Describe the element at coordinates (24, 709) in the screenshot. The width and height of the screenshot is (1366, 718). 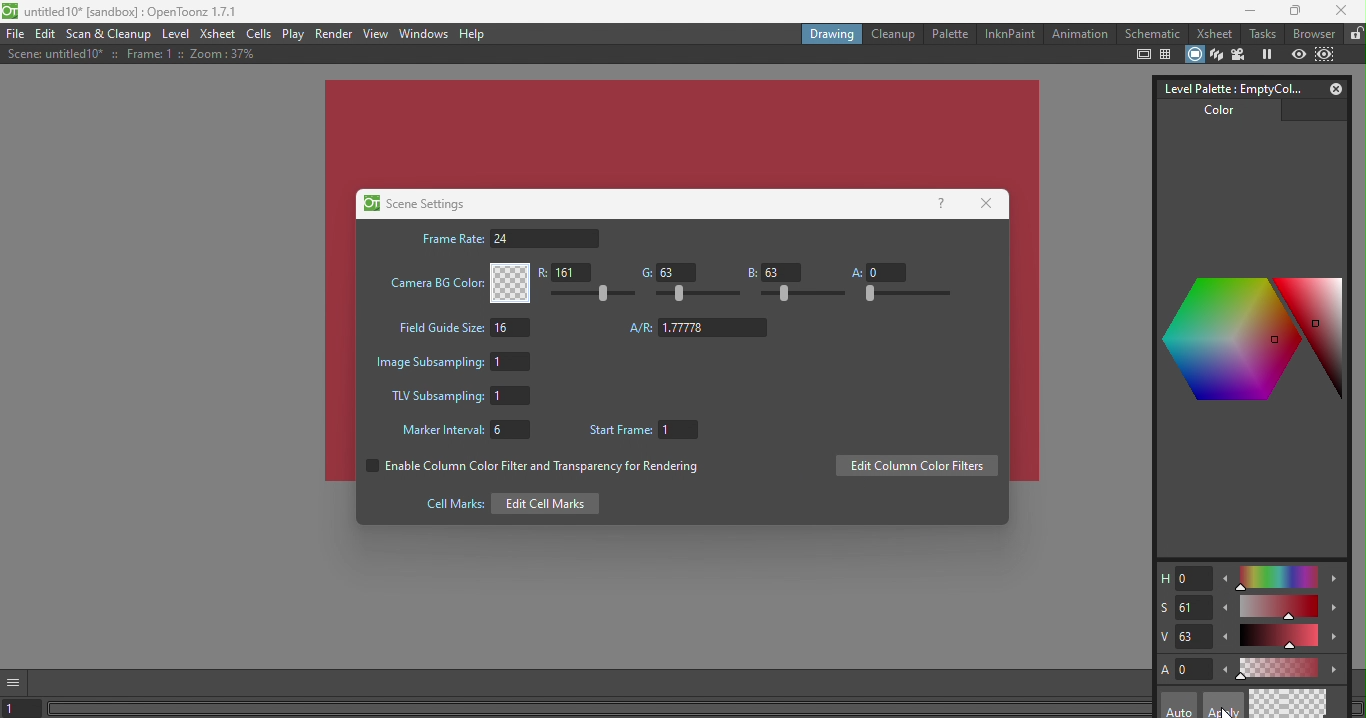
I see `set the current frame` at that location.